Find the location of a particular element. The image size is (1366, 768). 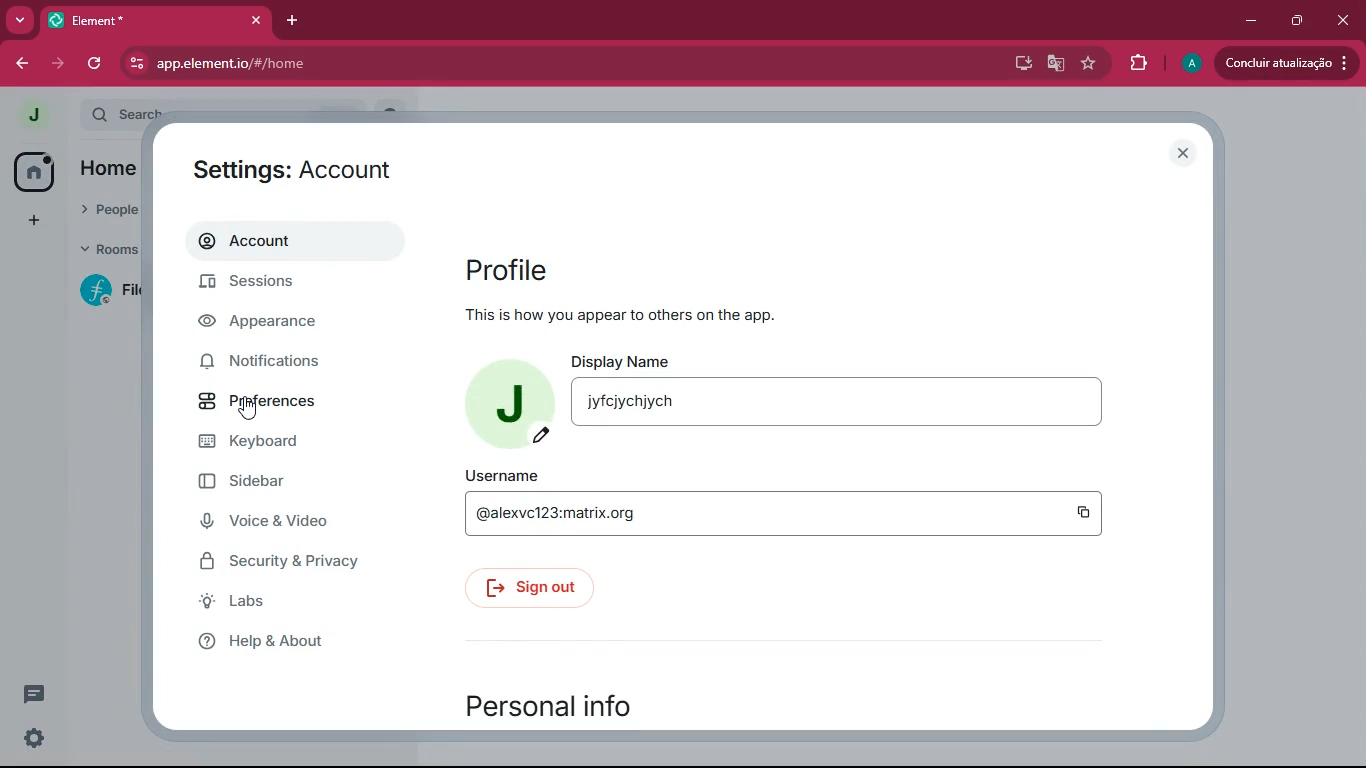

add tab is located at coordinates (294, 20).